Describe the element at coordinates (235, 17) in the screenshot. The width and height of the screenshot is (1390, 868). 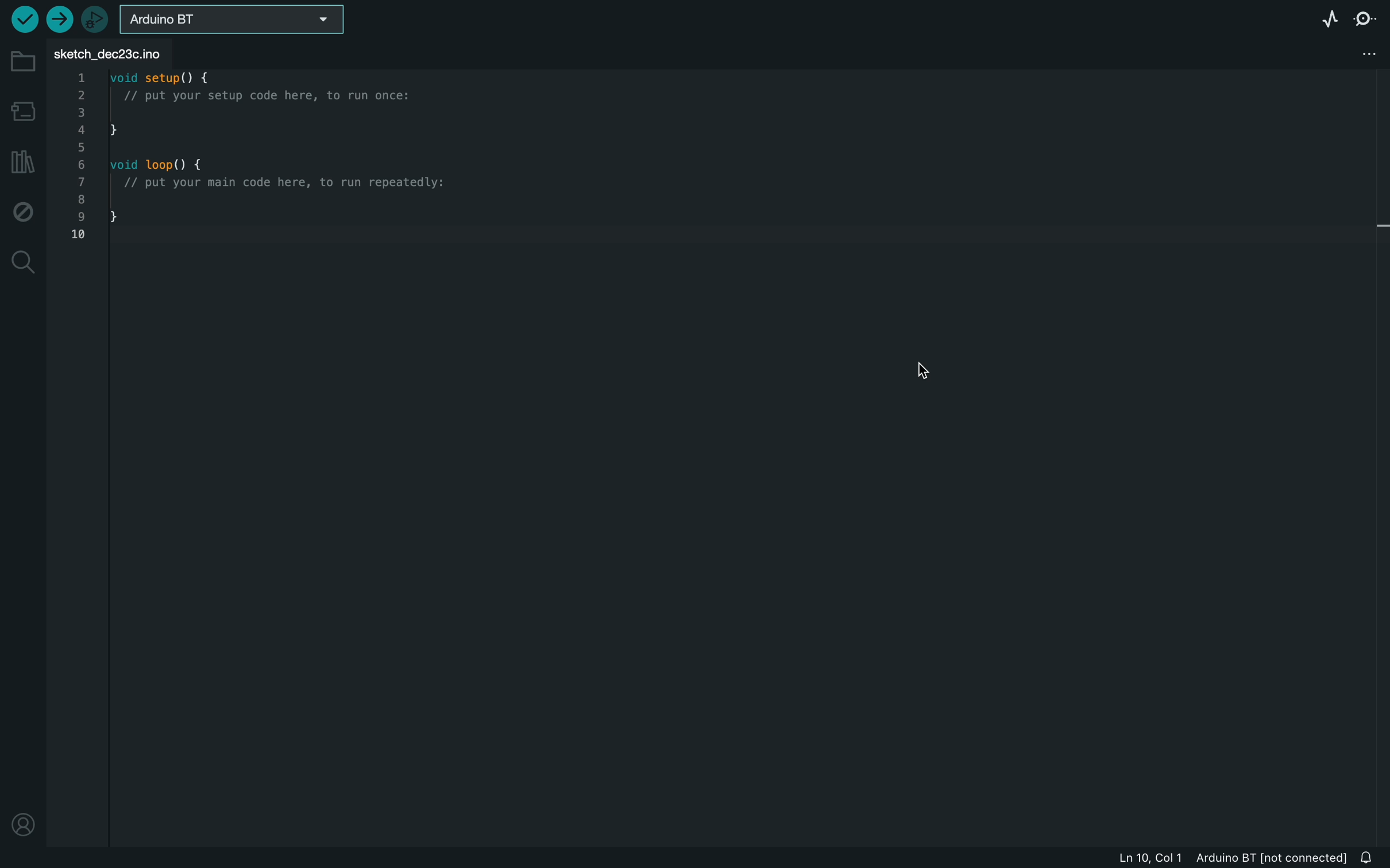
I see `board selecter` at that location.